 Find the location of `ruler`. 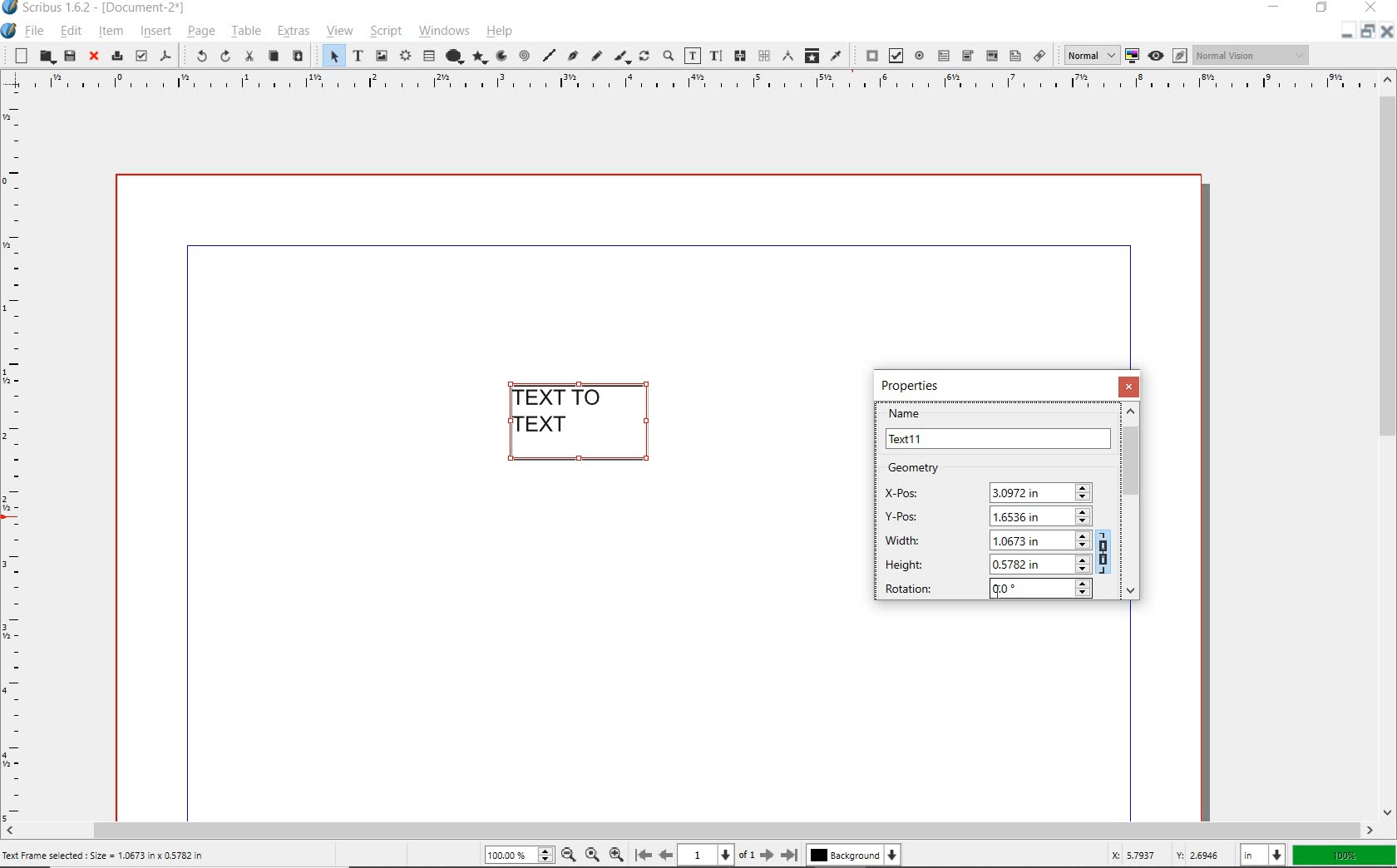

ruler is located at coordinates (694, 86).